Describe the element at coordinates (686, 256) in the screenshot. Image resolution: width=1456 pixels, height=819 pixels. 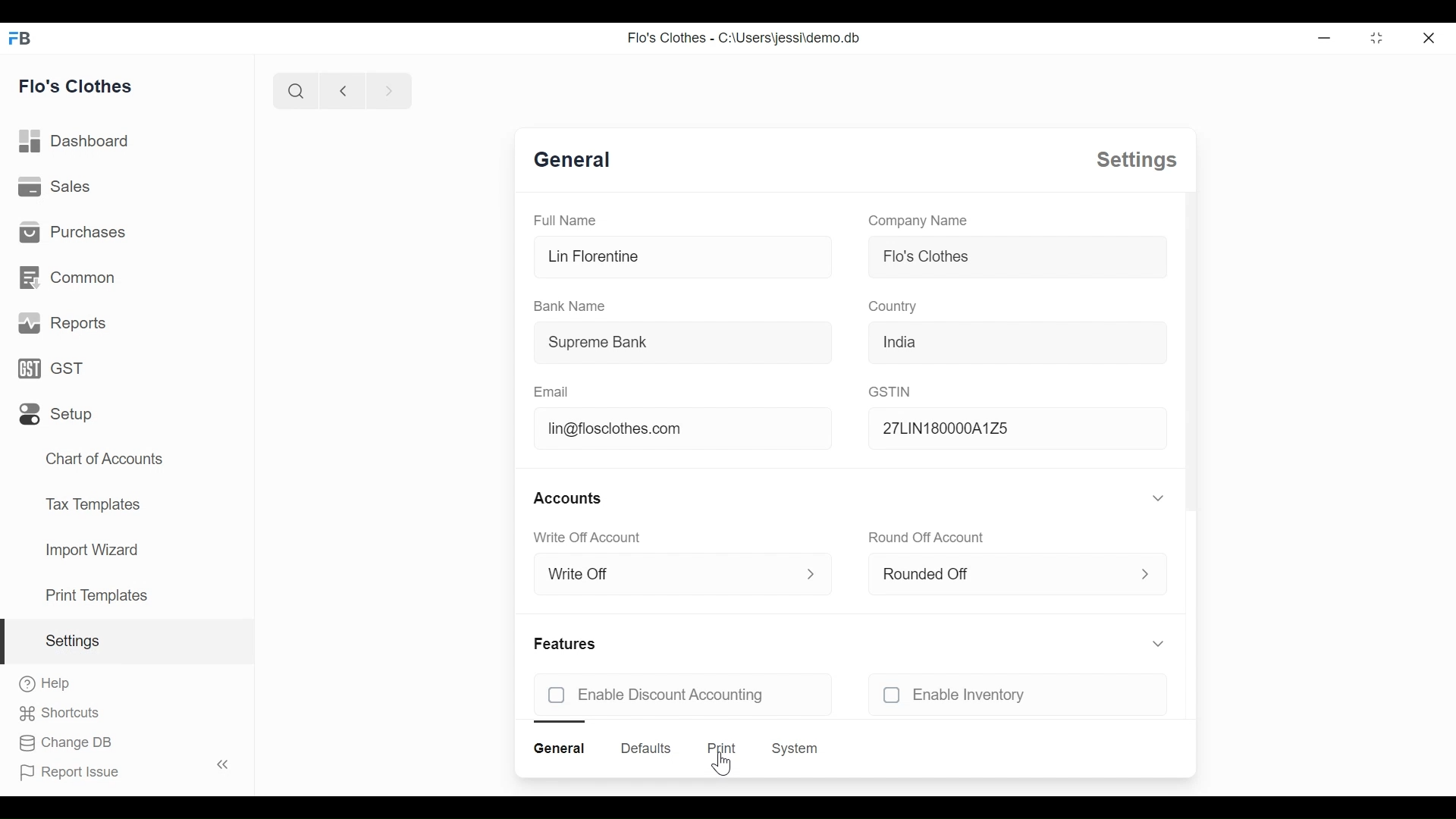
I see `lin florentine` at that location.